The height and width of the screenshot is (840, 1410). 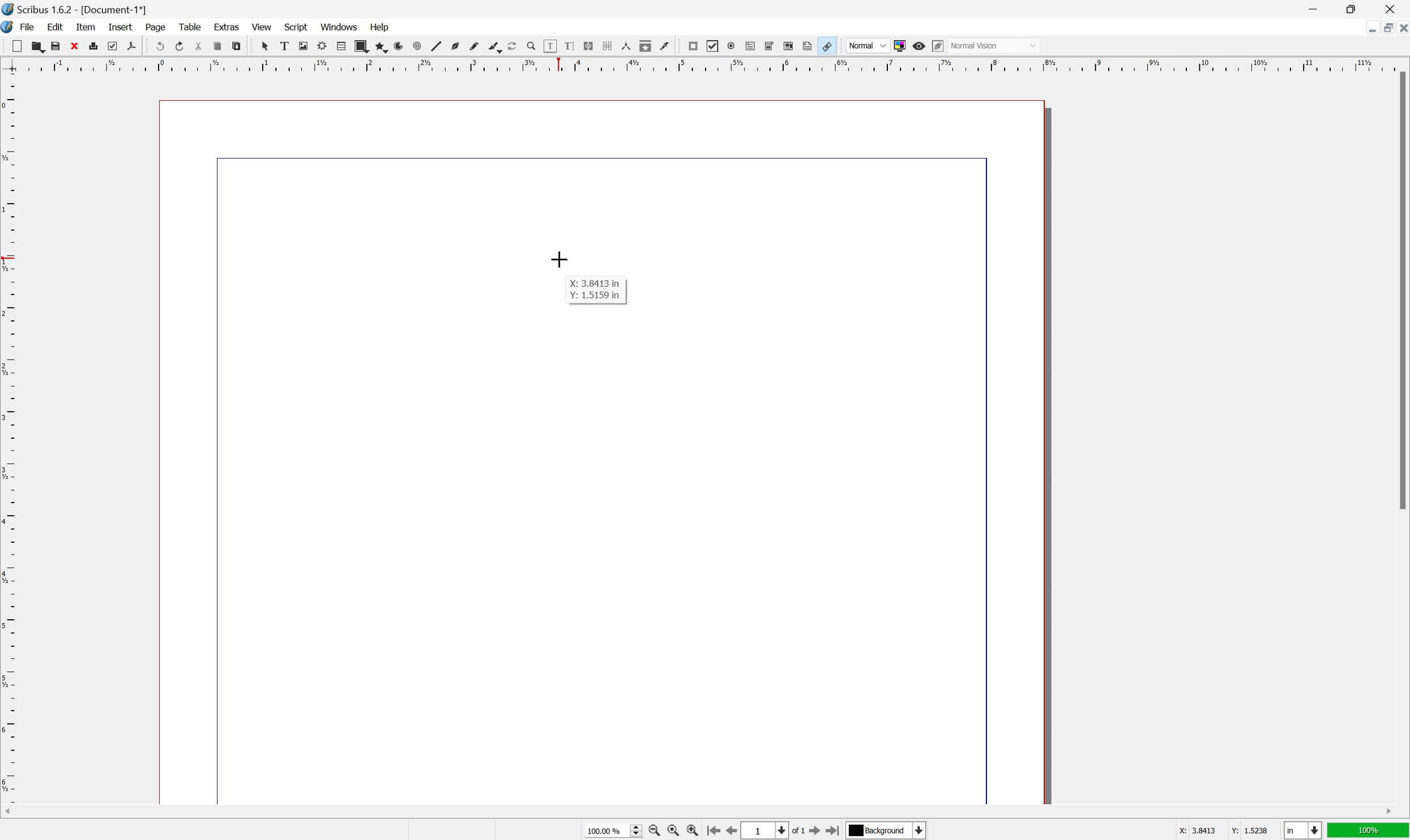 What do you see at coordinates (993, 45) in the screenshot?
I see `normal vision` at bounding box center [993, 45].